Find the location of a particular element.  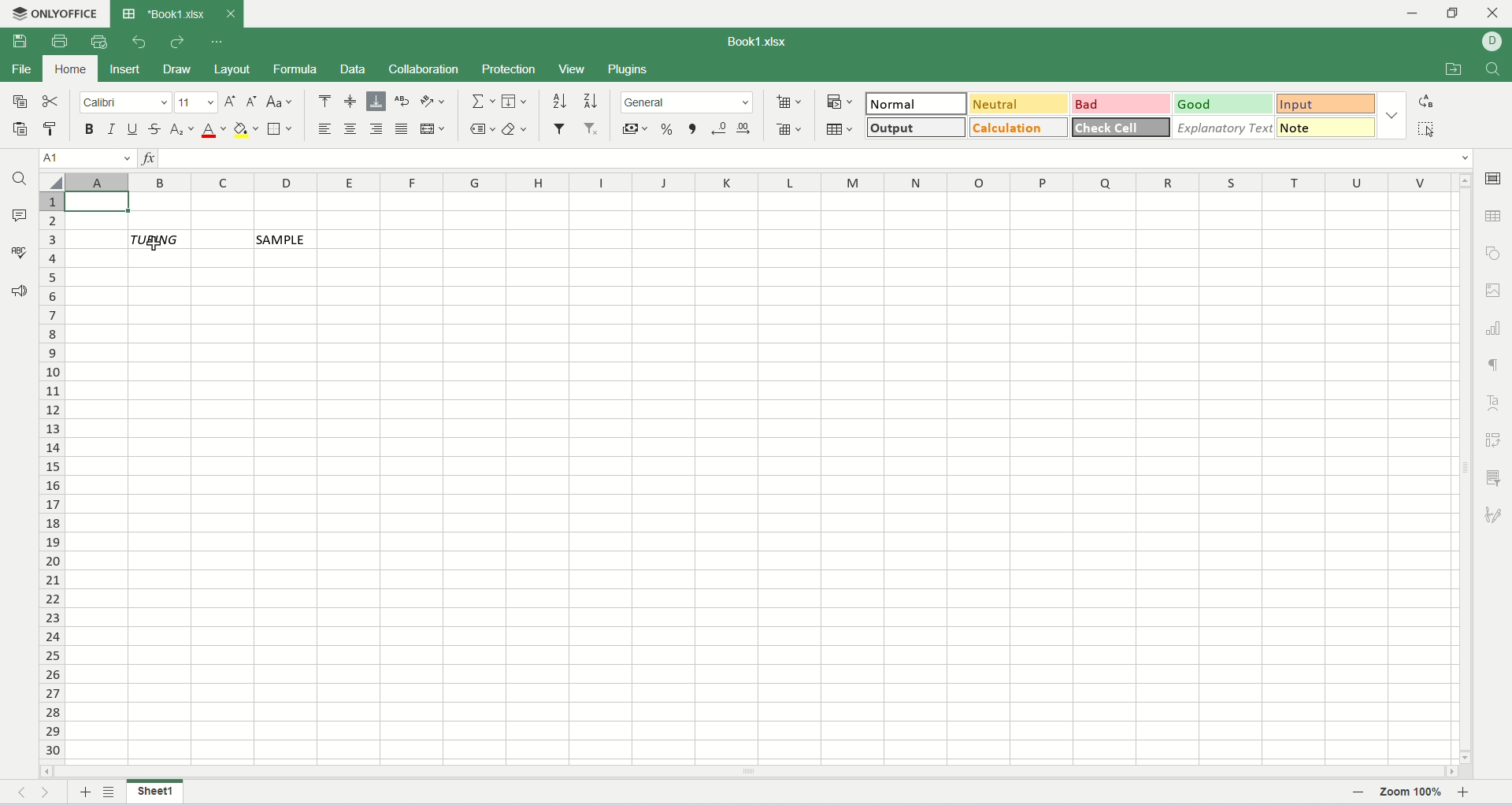

sheet tab is located at coordinates (165, 13).